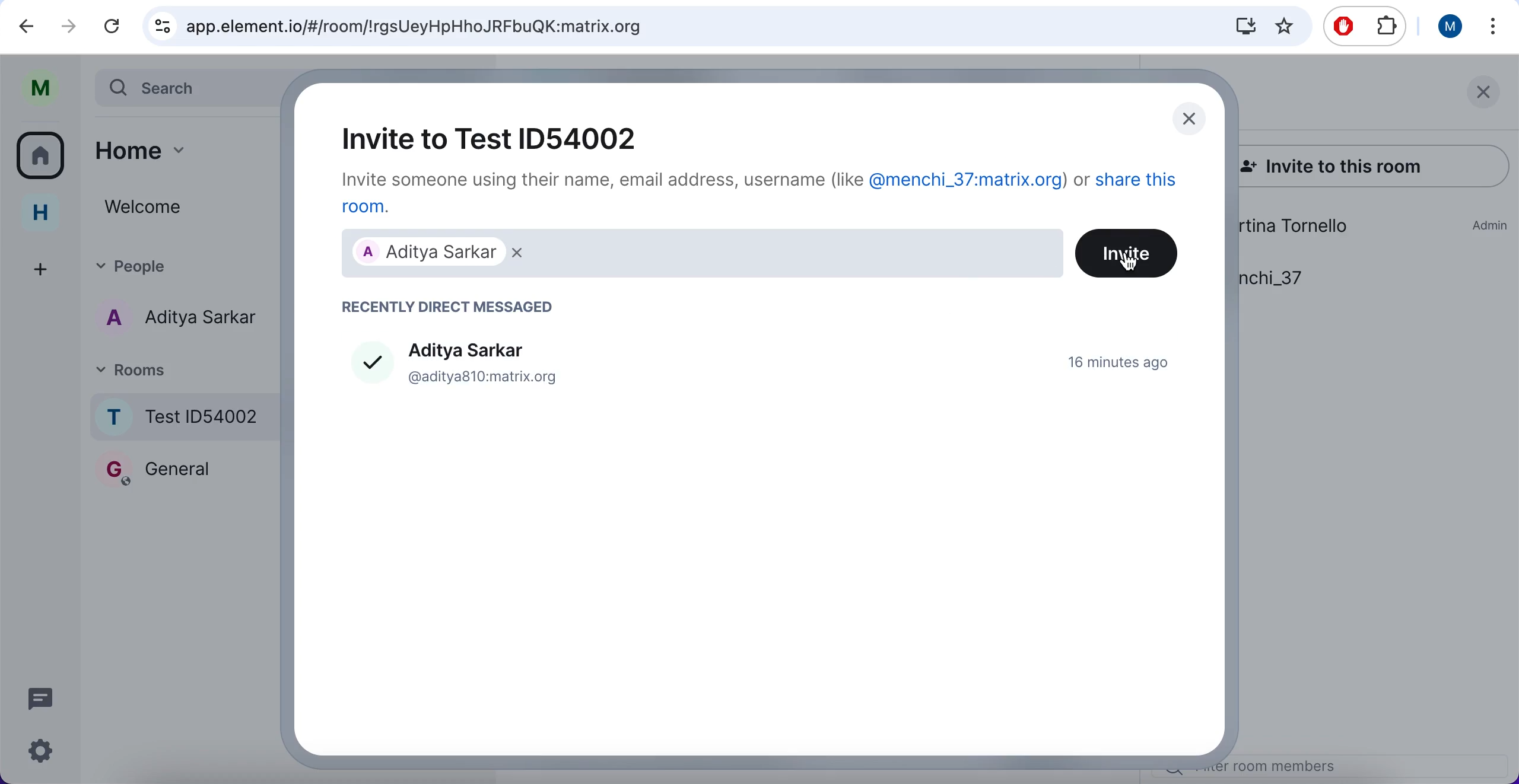 The height and width of the screenshot is (784, 1519). Describe the element at coordinates (623, 142) in the screenshot. I see `invite to room` at that location.